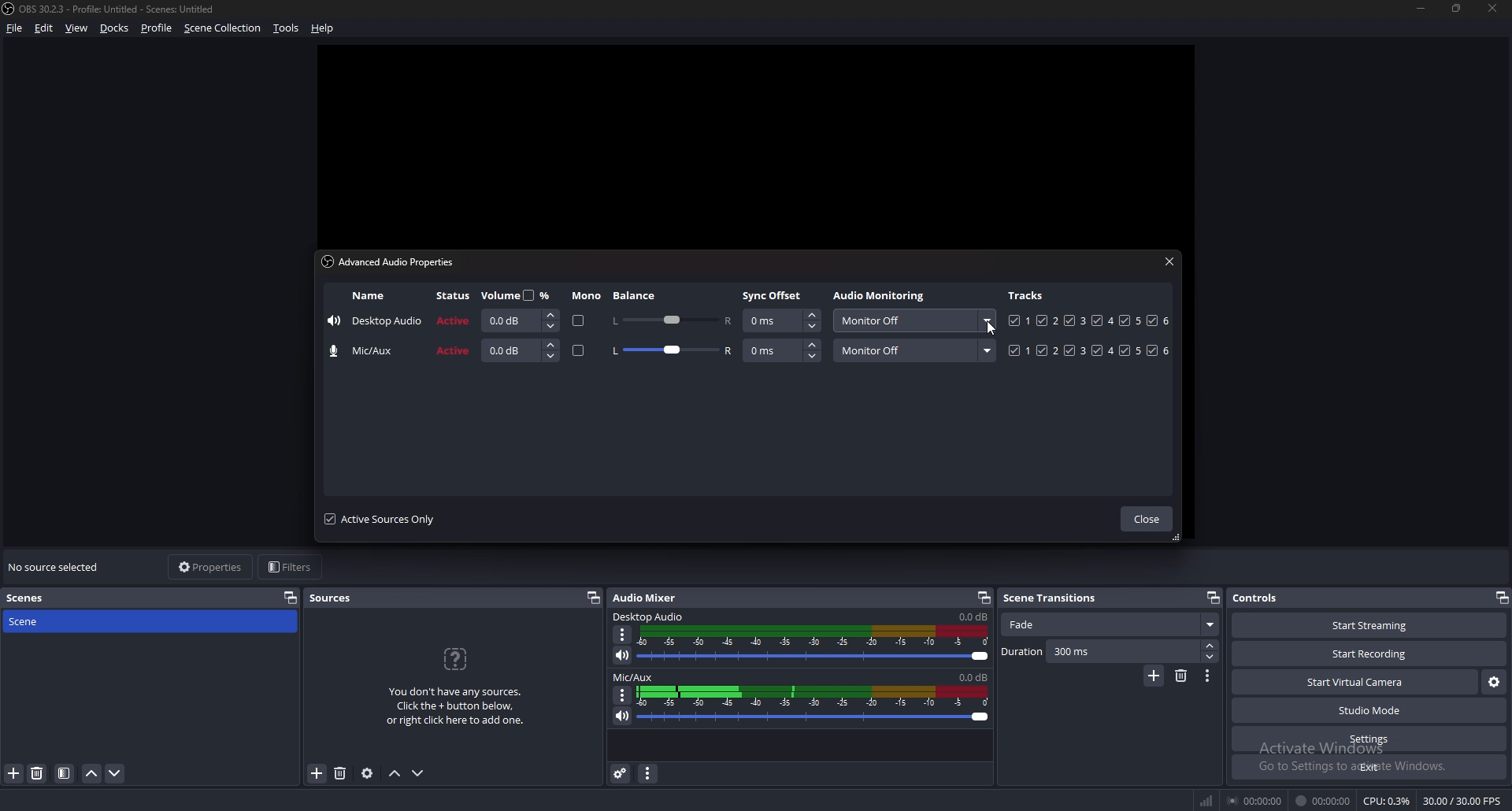 The height and width of the screenshot is (811, 1512). What do you see at coordinates (115, 774) in the screenshot?
I see `move scene down` at bounding box center [115, 774].